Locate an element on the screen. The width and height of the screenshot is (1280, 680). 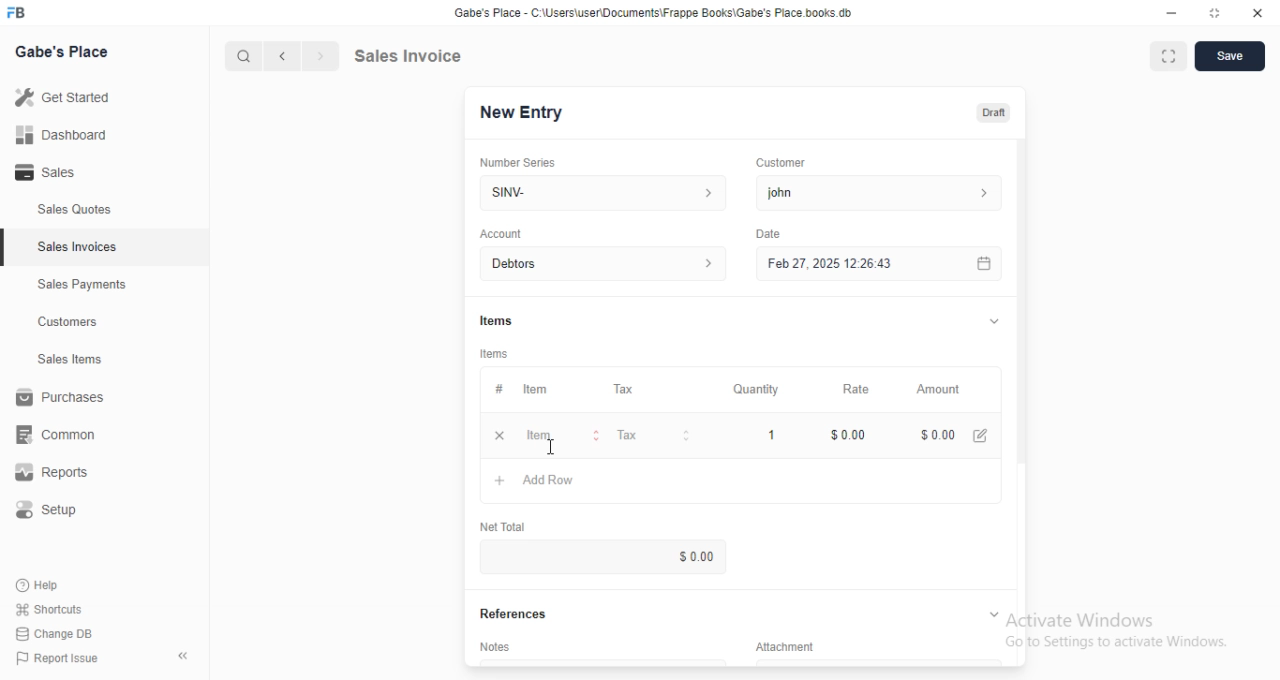
Date is located at coordinates (770, 232).